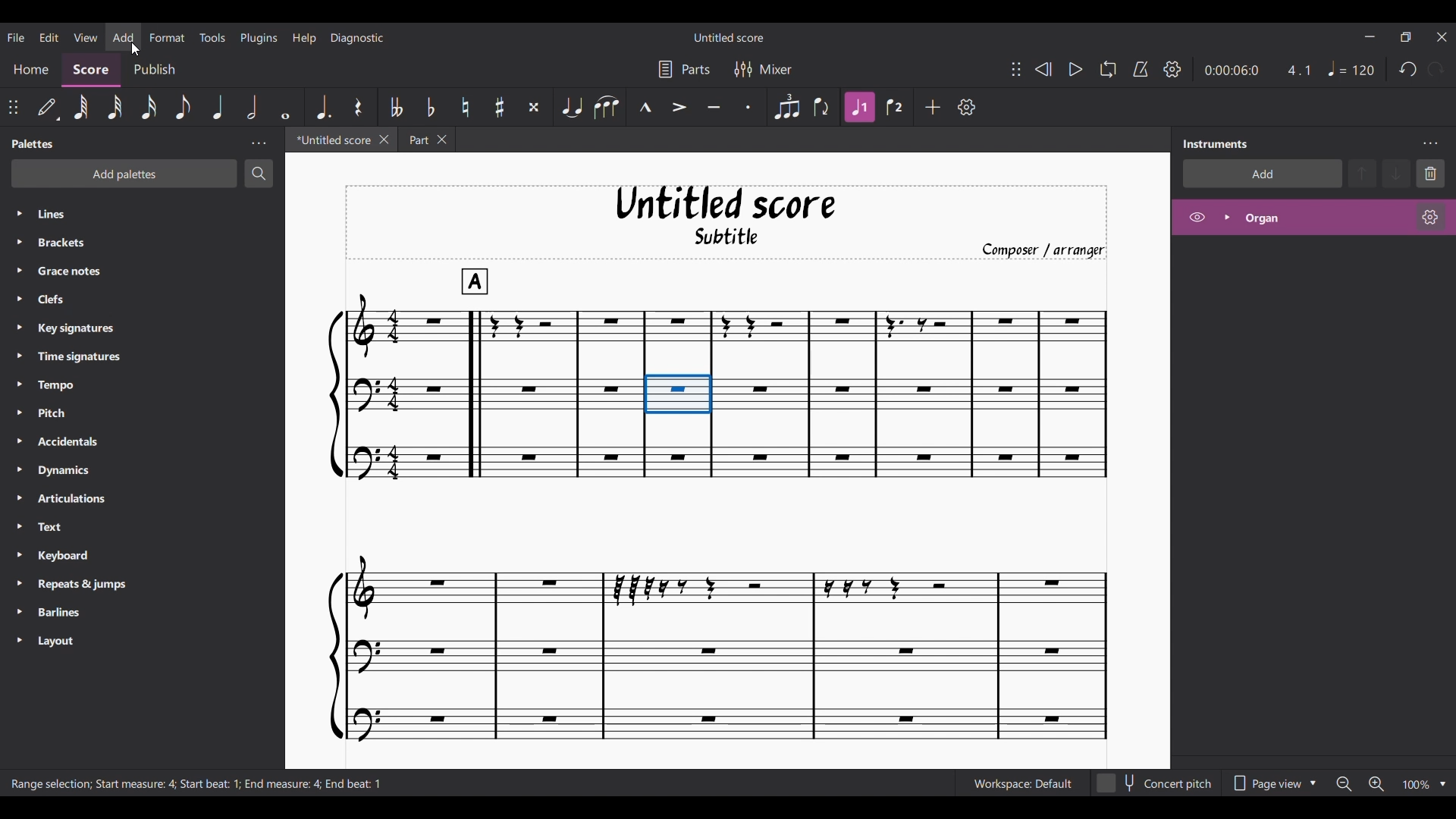  What do you see at coordinates (395, 107) in the screenshot?
I see `Toggle double flat` at bounding box center [395, 107].